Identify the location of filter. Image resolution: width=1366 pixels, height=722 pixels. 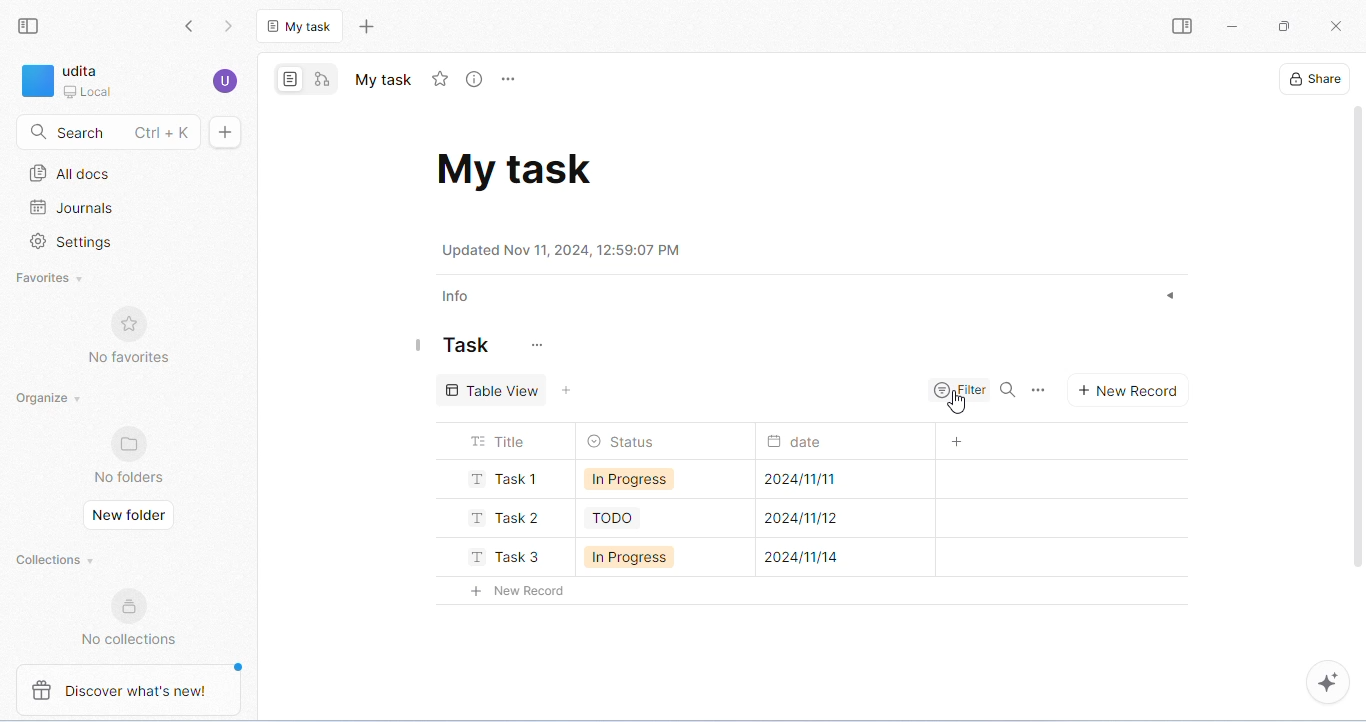
(961, 388).